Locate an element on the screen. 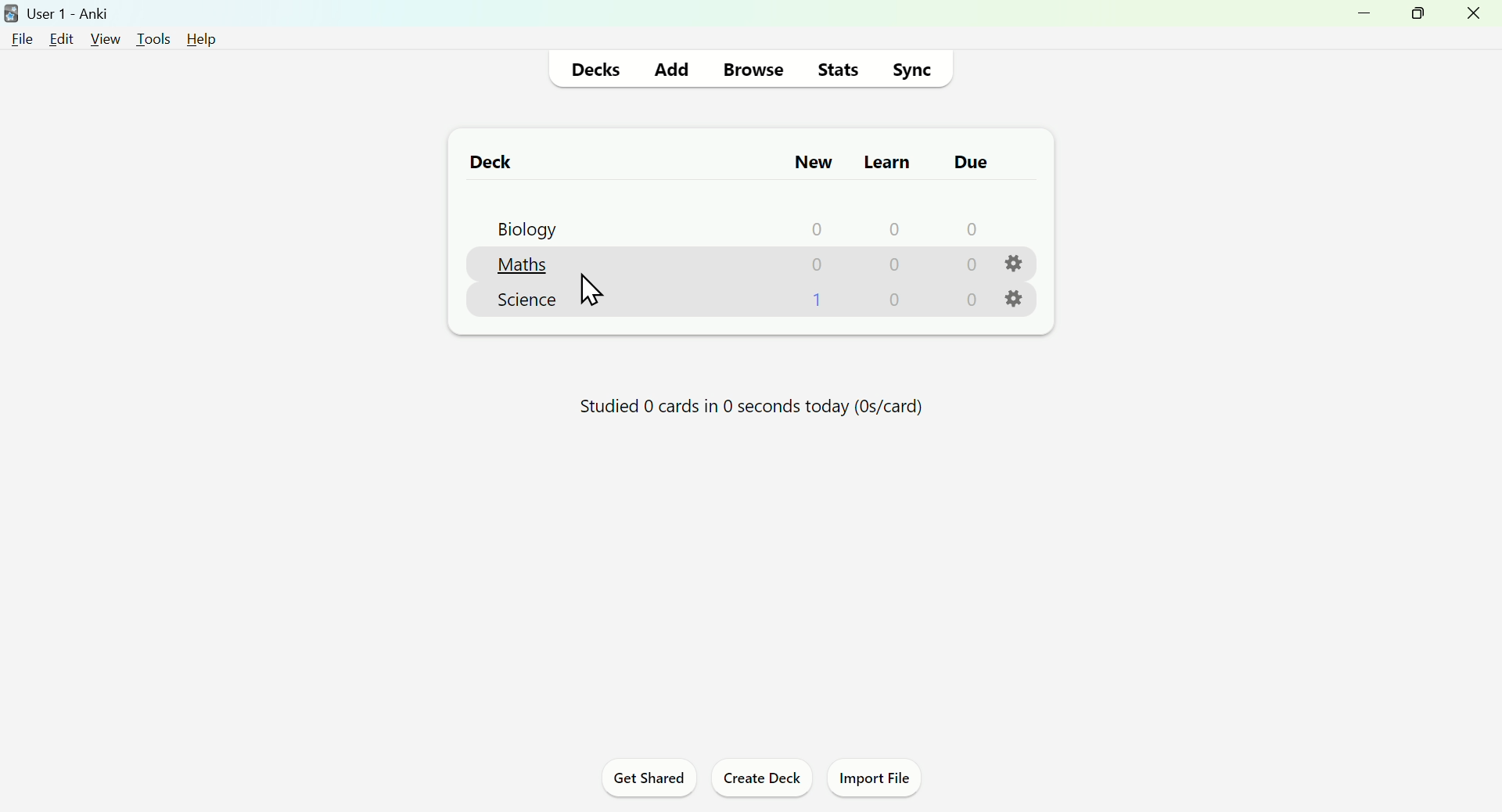 Image resolution: width=1502 pixels, height=812 pixels. 0 is located at coordinates (897, 300).